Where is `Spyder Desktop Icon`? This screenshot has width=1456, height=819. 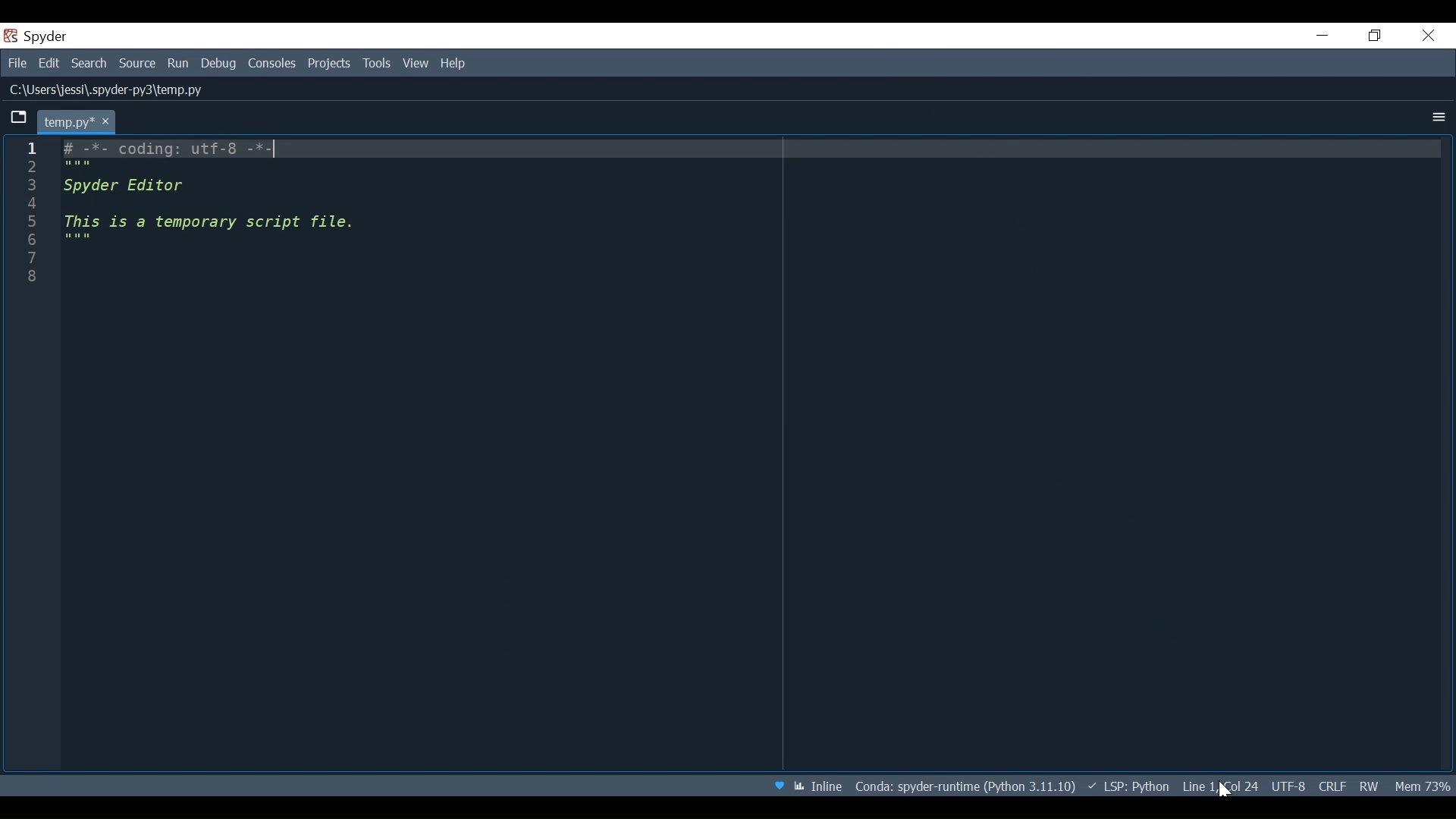
Spyder Desktop Icon is located at coordinates (36, 35).